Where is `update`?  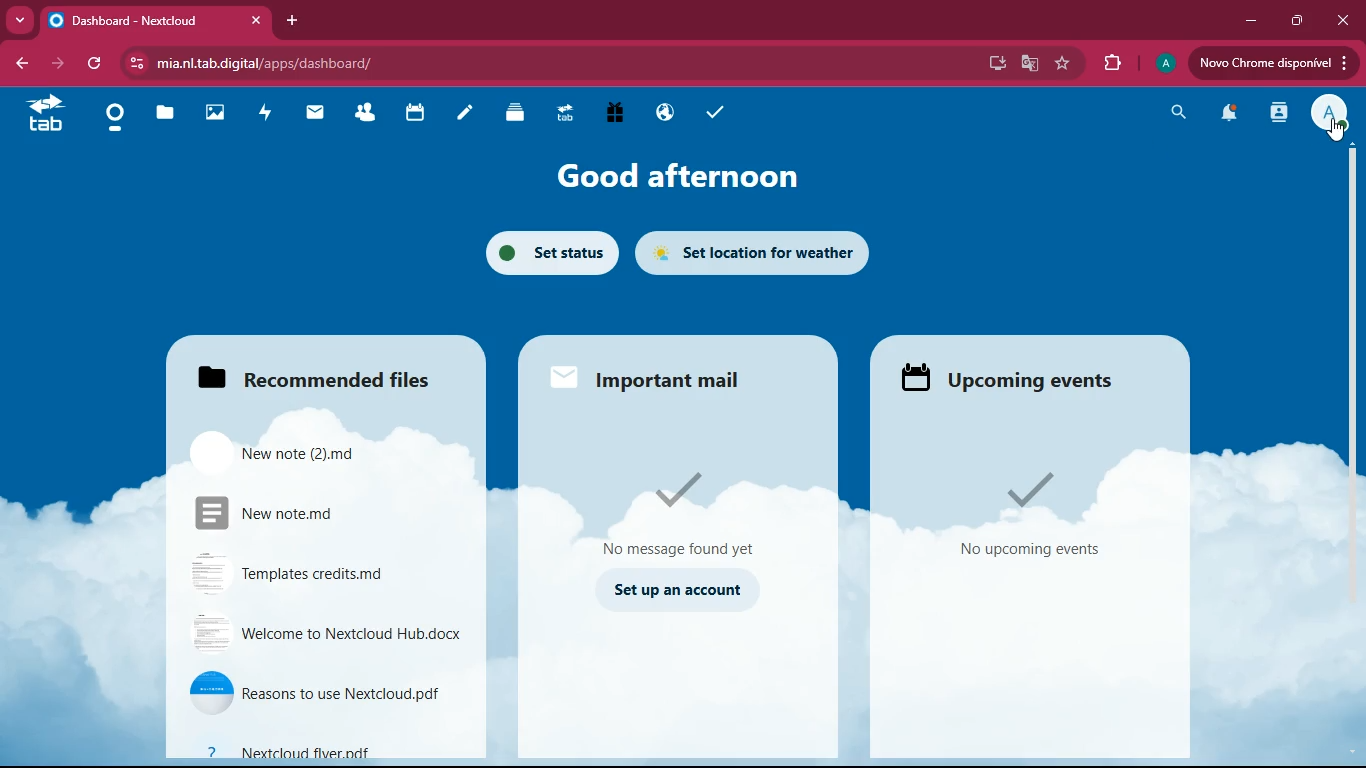 update is located at coordinates (1273, 63).